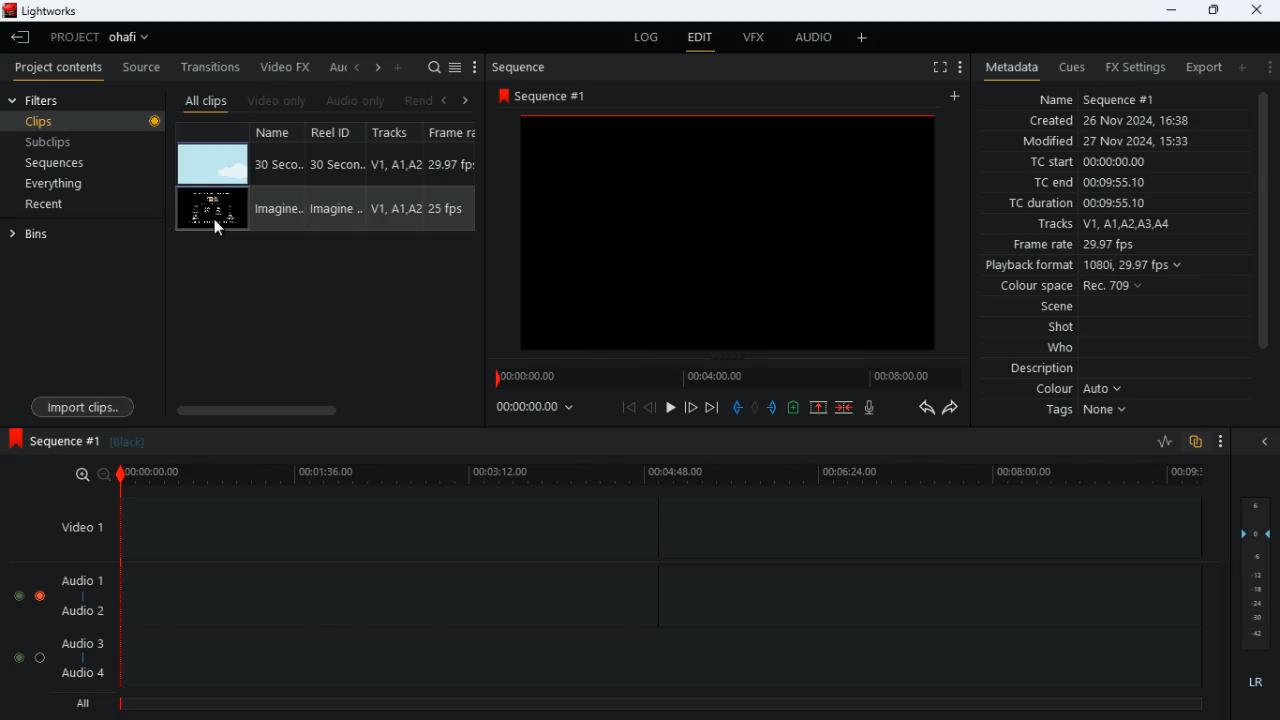 This screenshot has height=720, width=1280. I want to click on toggle, so click(18, 657).